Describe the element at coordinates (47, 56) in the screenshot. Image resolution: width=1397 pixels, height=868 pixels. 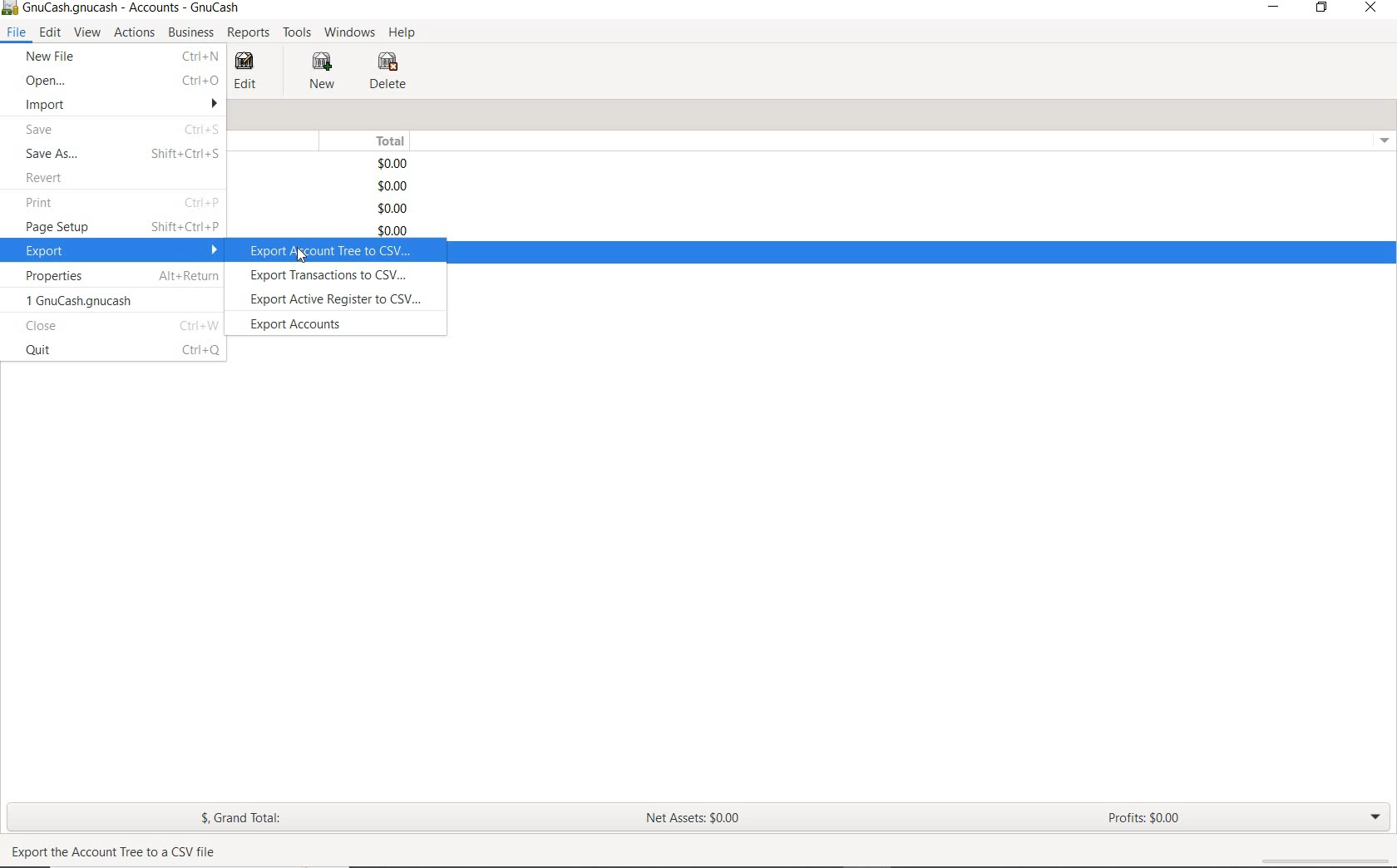
I see `NEW FILE` at that location.